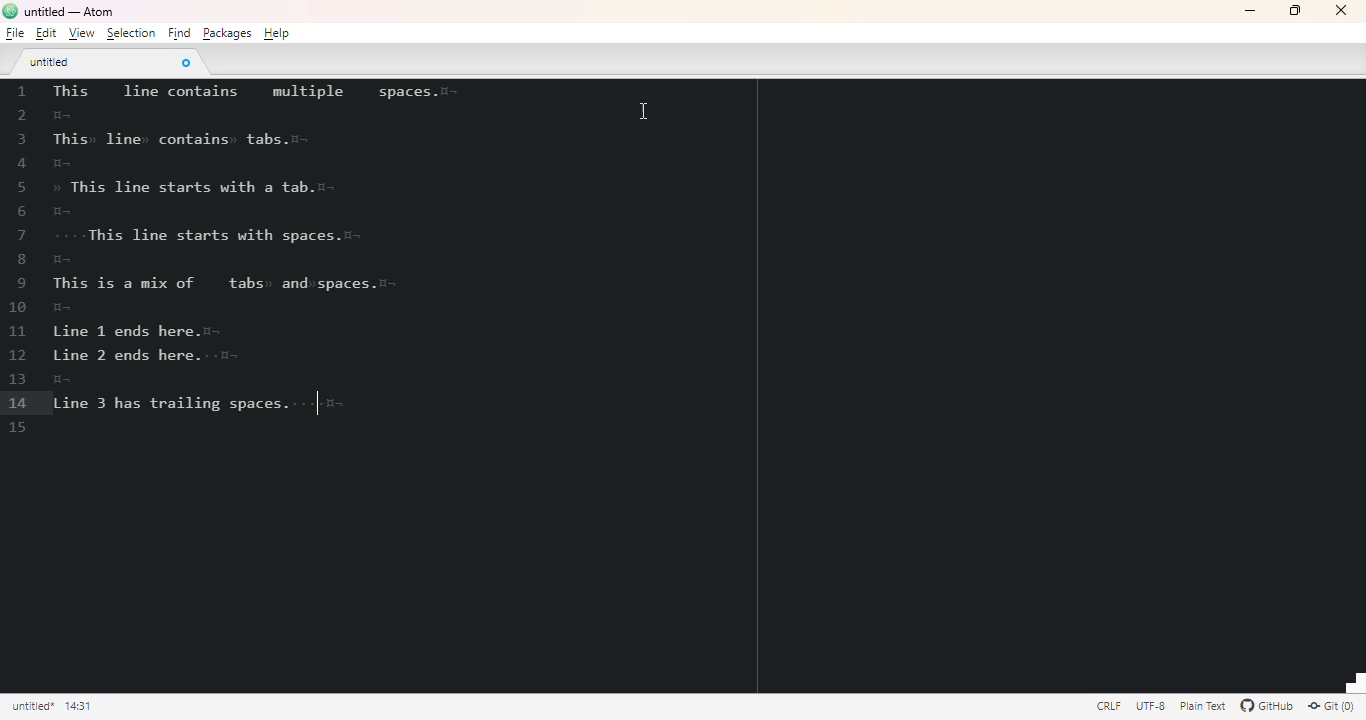 This screenshot has height=720, width=1366. I want to click on untitled tab, so click(51, 61).